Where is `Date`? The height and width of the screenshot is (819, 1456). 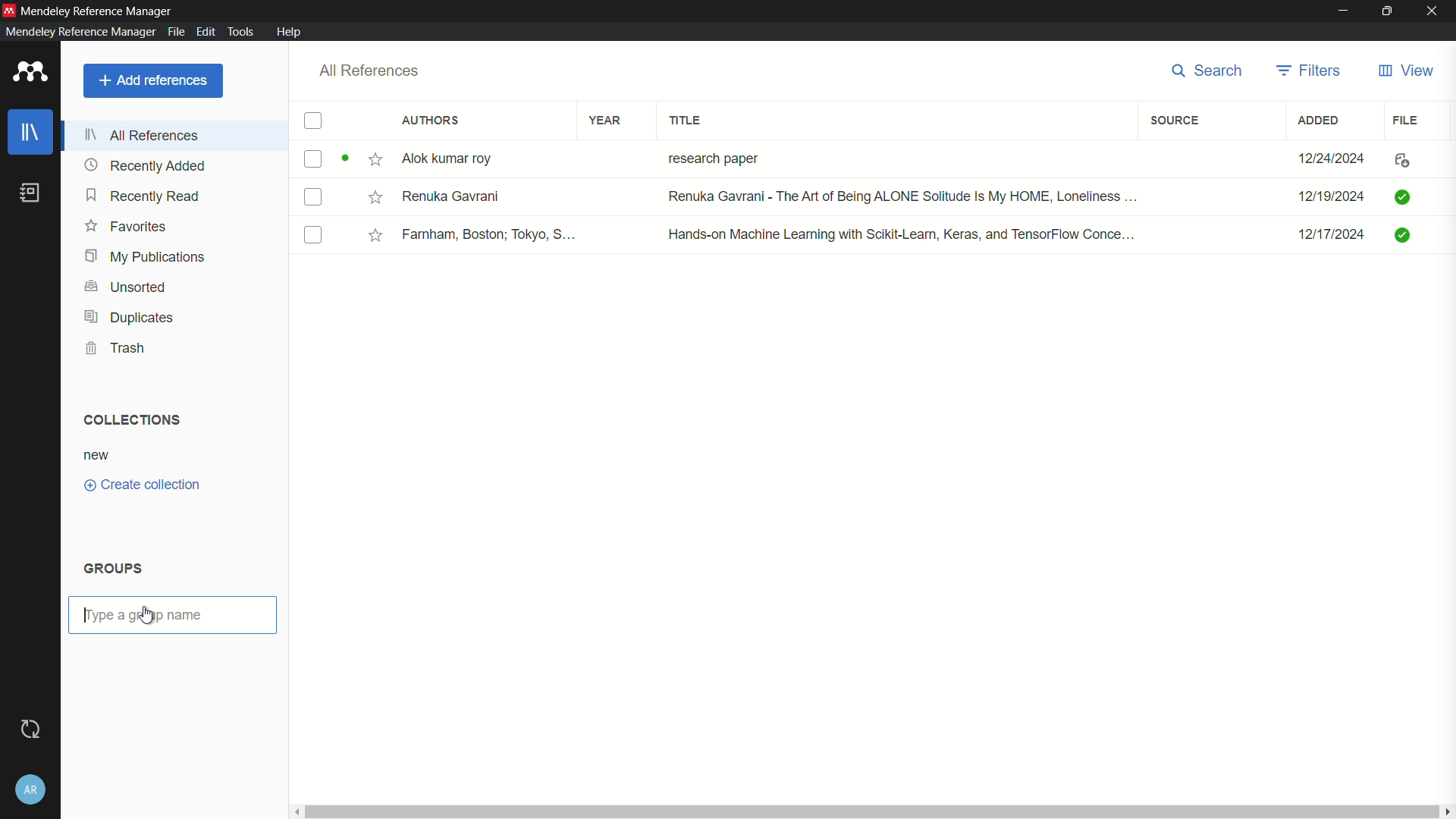 Date is located at coordinates (1334, 158).